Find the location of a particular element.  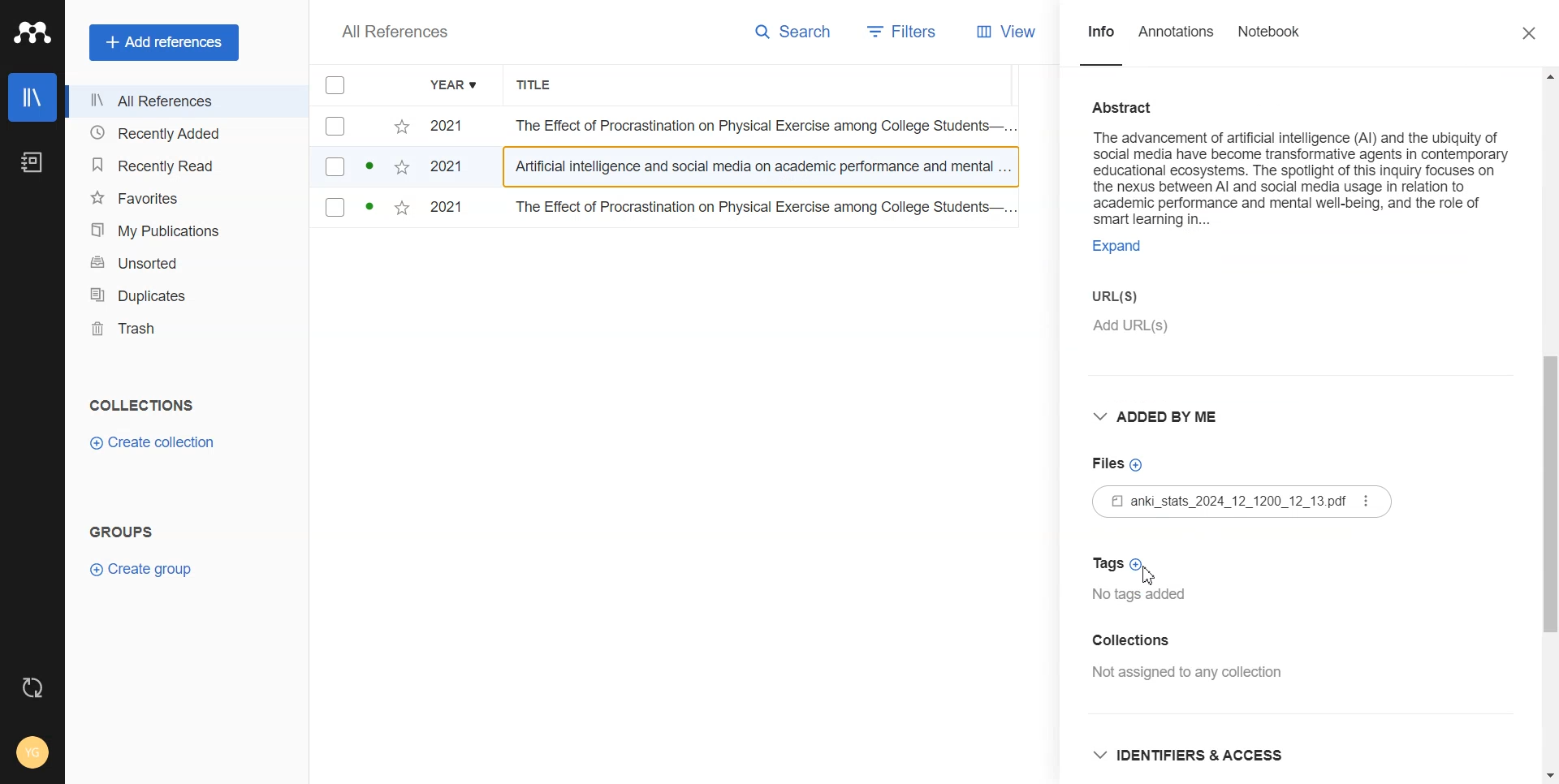

checkbox is located at coordinates (363, 127).